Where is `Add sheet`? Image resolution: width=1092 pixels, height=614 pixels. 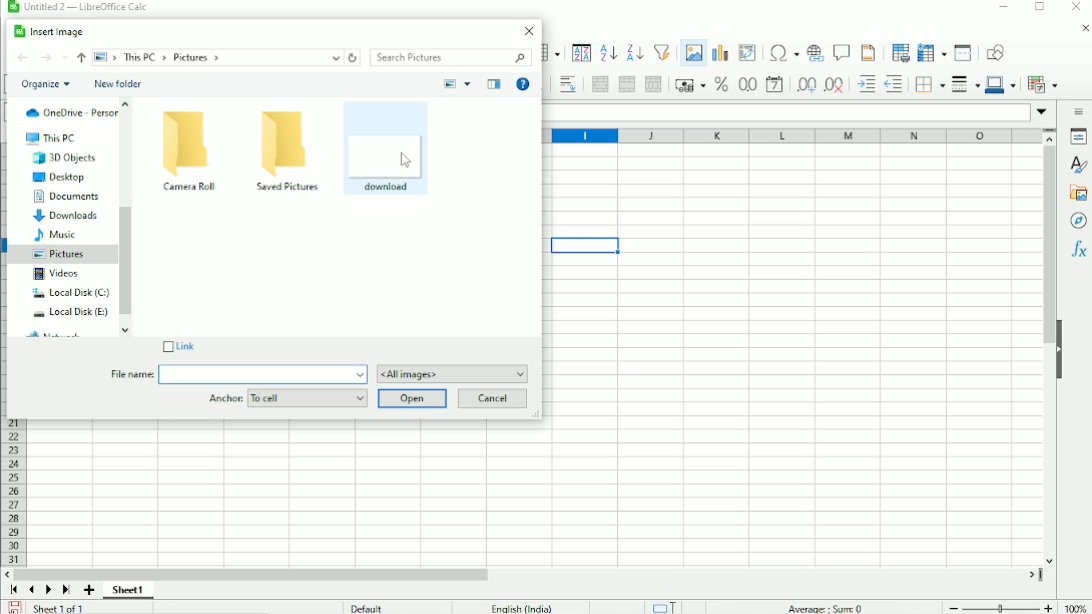
Add sheet is located at coordinates (89, 590).